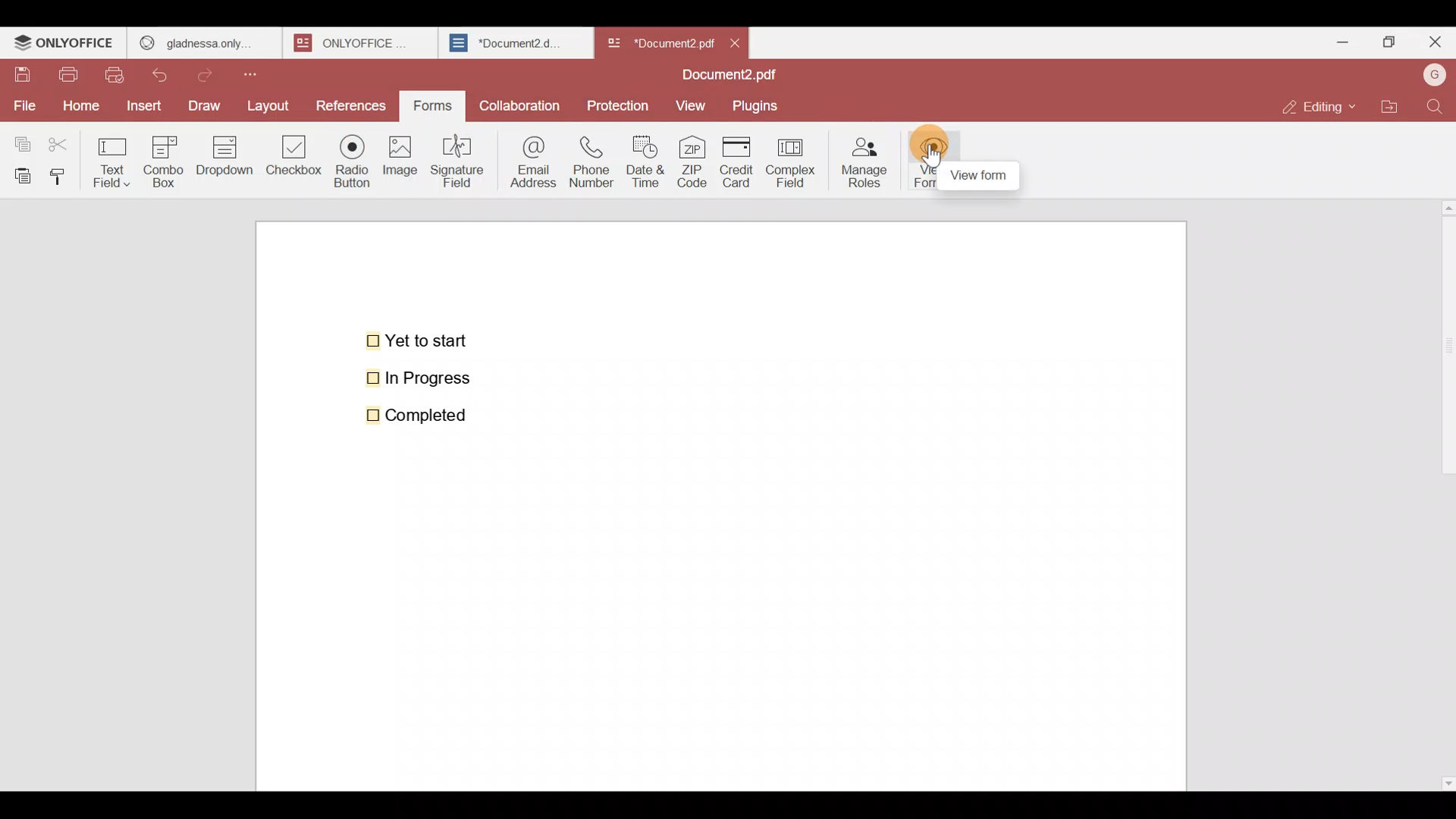  Describe the element at coordinates (427, 378) in the screenshot. I see `In Progress` at that location.